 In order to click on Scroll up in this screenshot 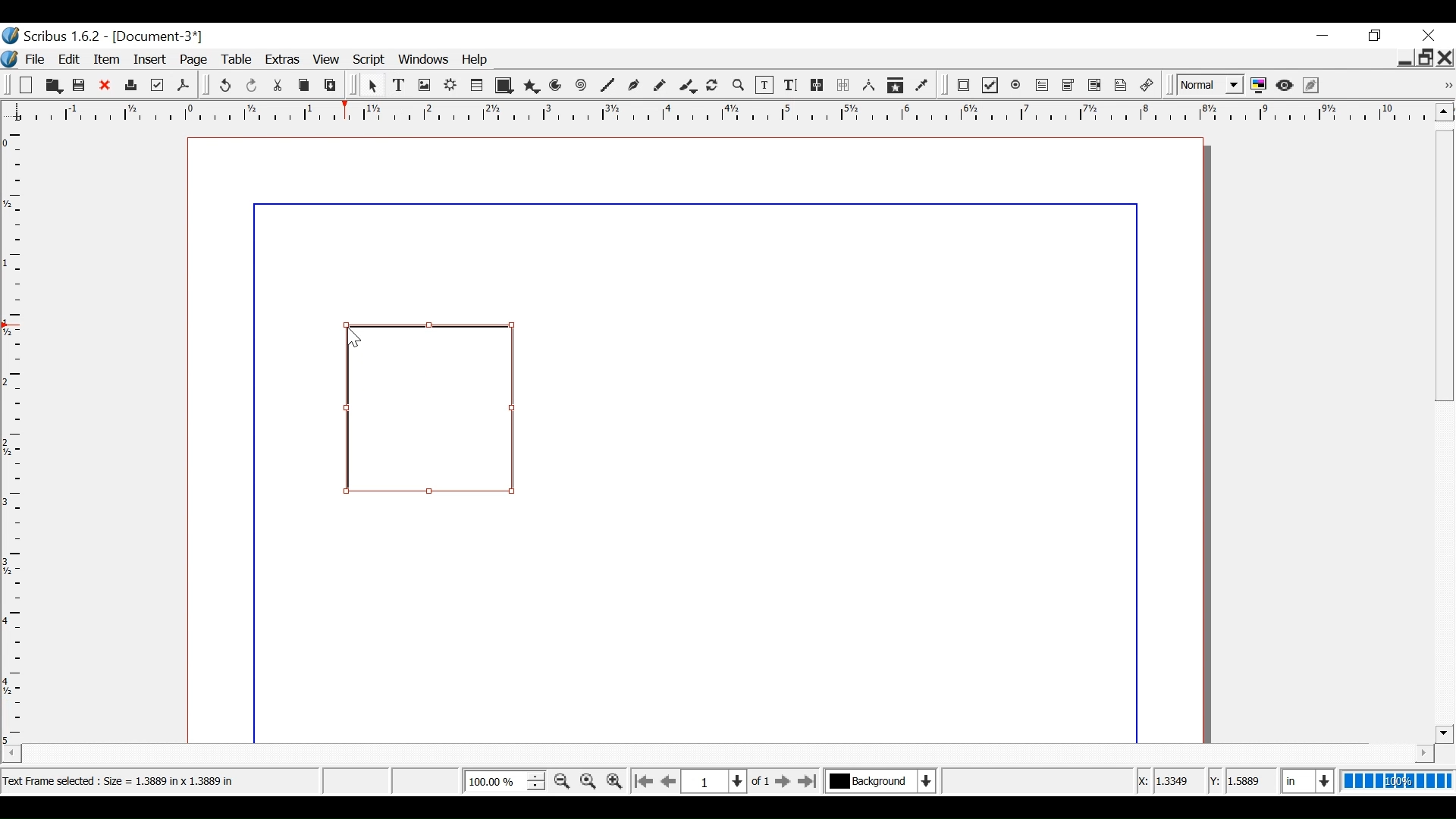, I will do `click(1442, 111)`.